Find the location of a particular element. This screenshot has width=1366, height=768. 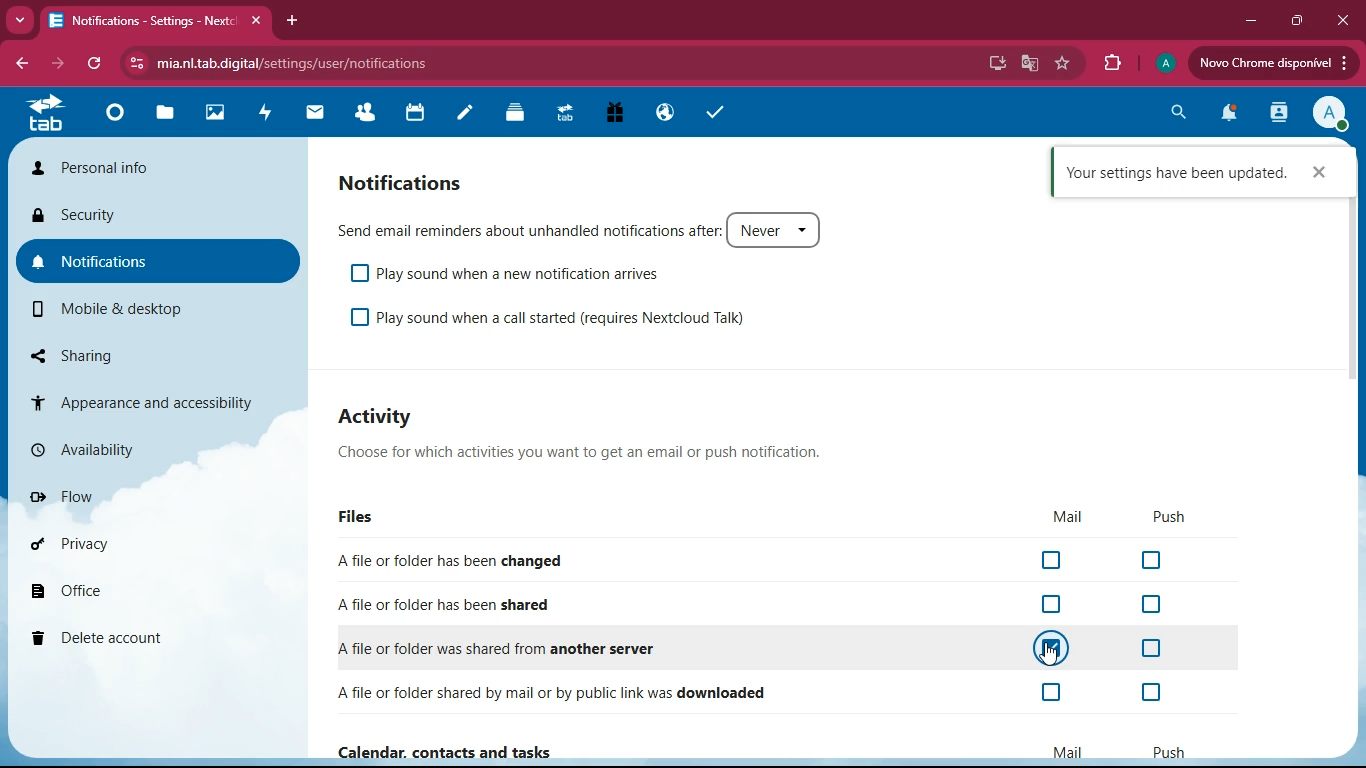

push is located at coordinates (1172, 519).